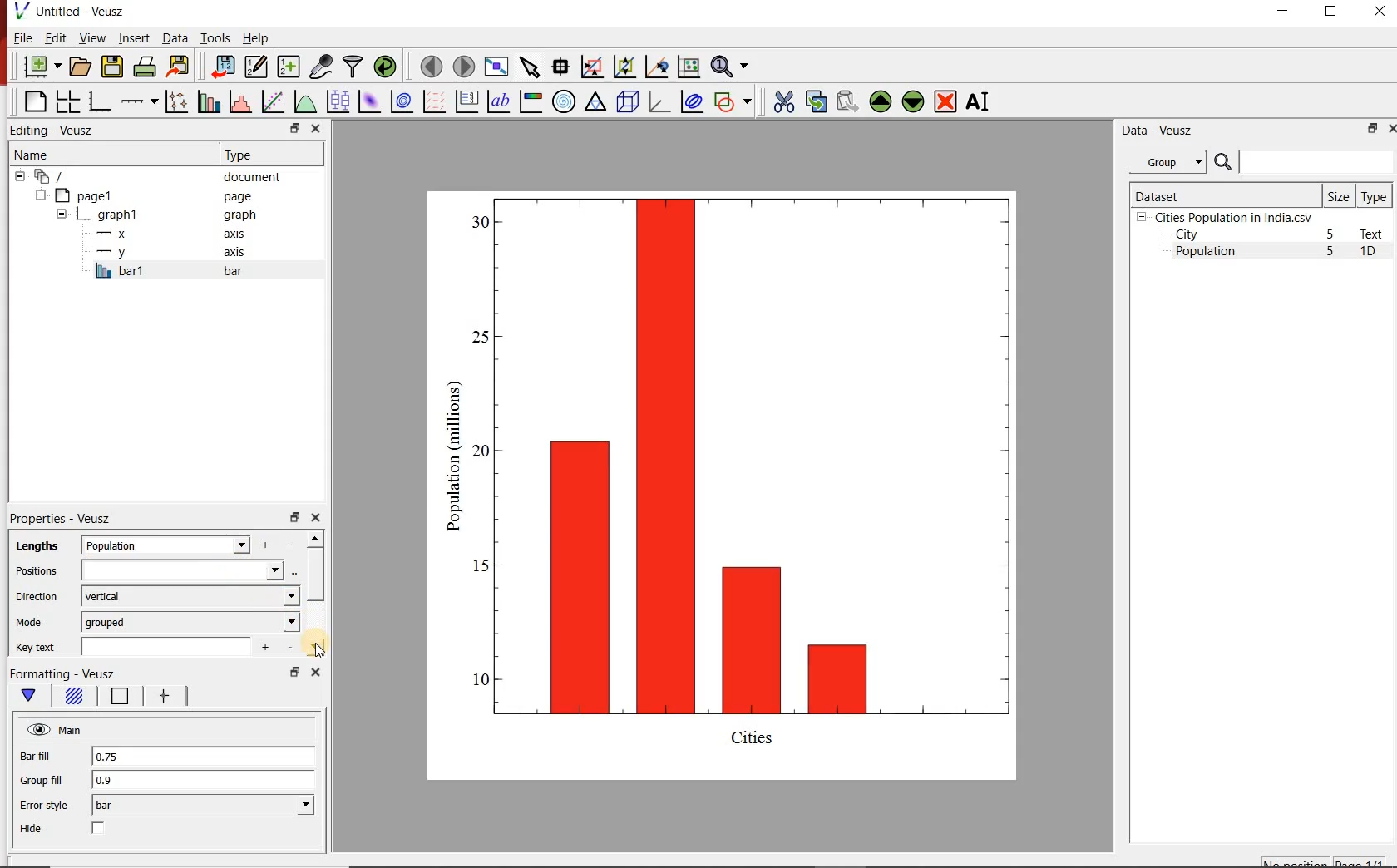  I want to click on Line, so click(116, 699).